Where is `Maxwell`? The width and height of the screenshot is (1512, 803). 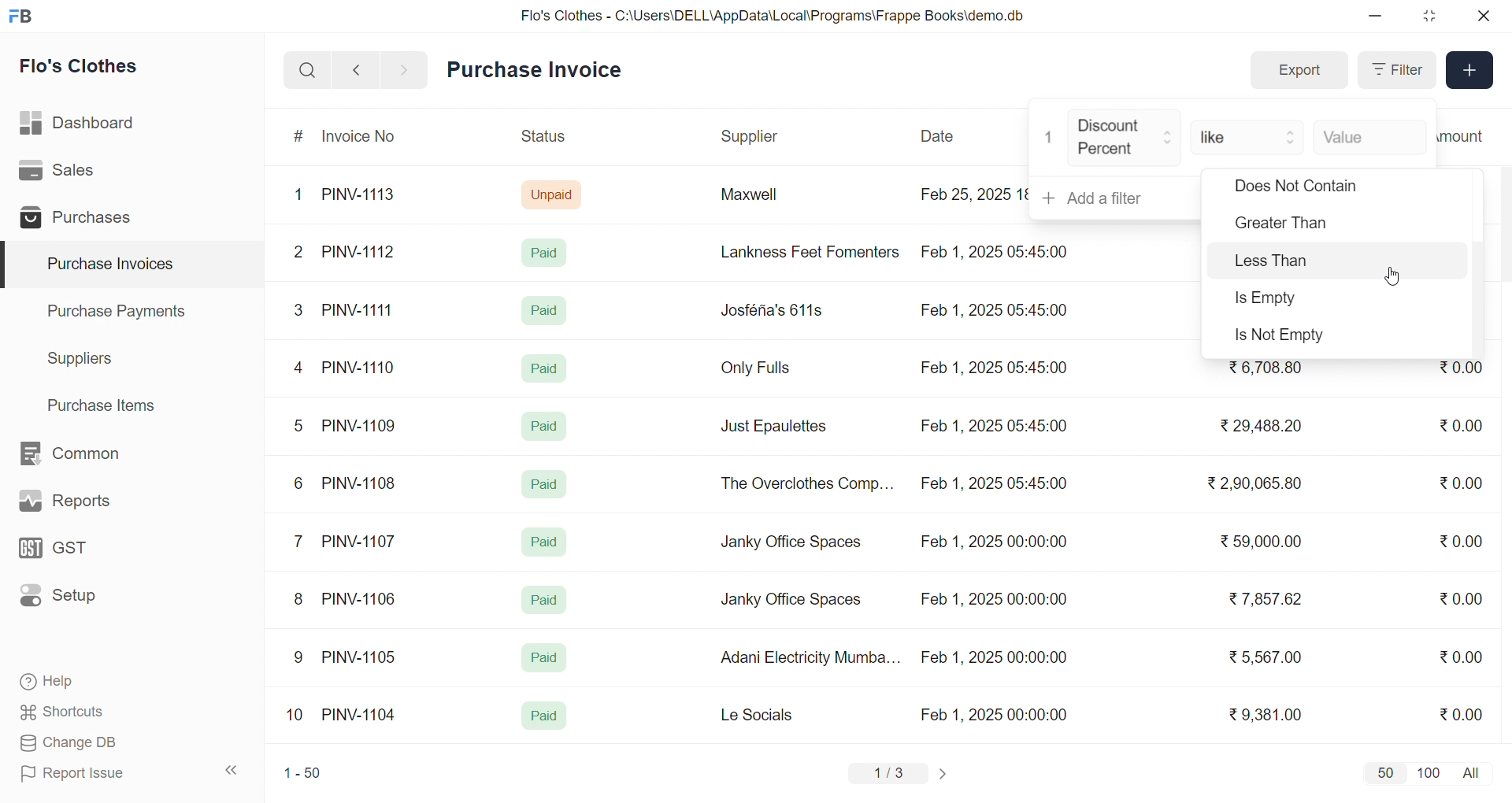 Maxwell is located at coordinates (767, 200).